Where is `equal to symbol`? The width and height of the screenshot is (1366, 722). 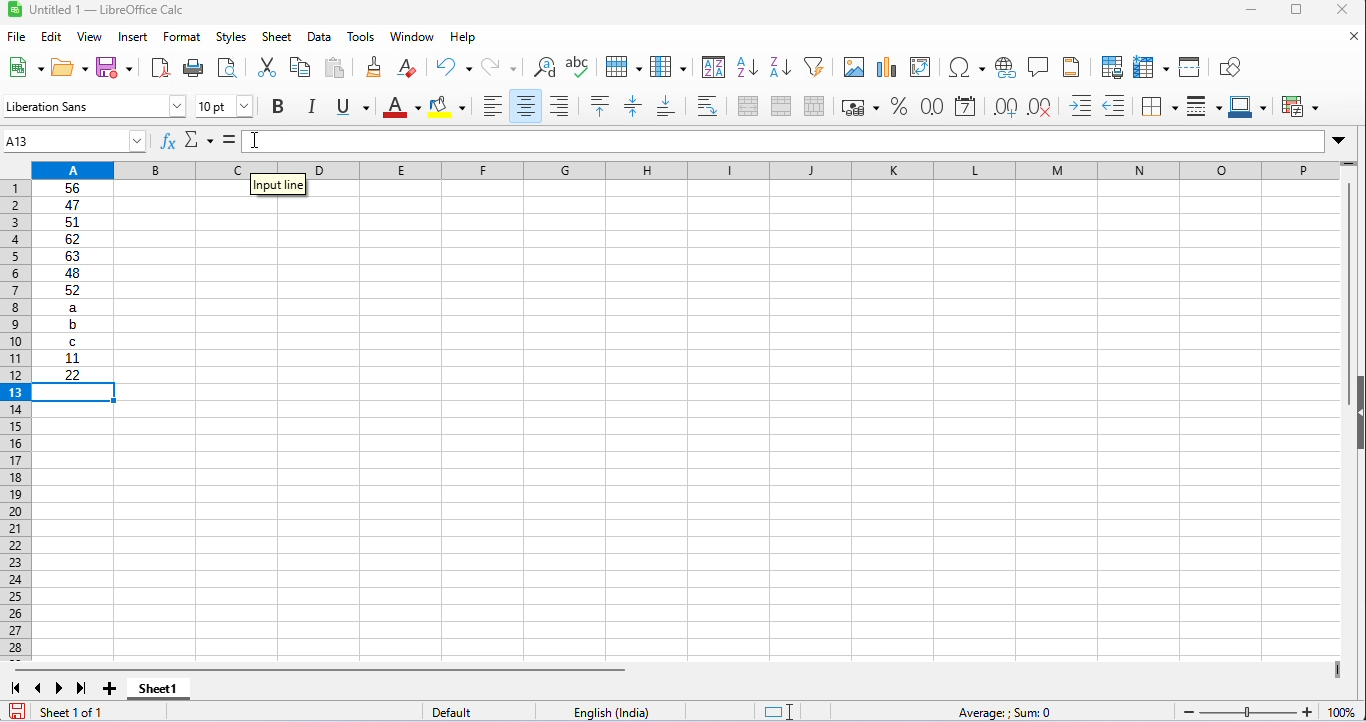
equal to symbol is located at coordinates (230, 141).